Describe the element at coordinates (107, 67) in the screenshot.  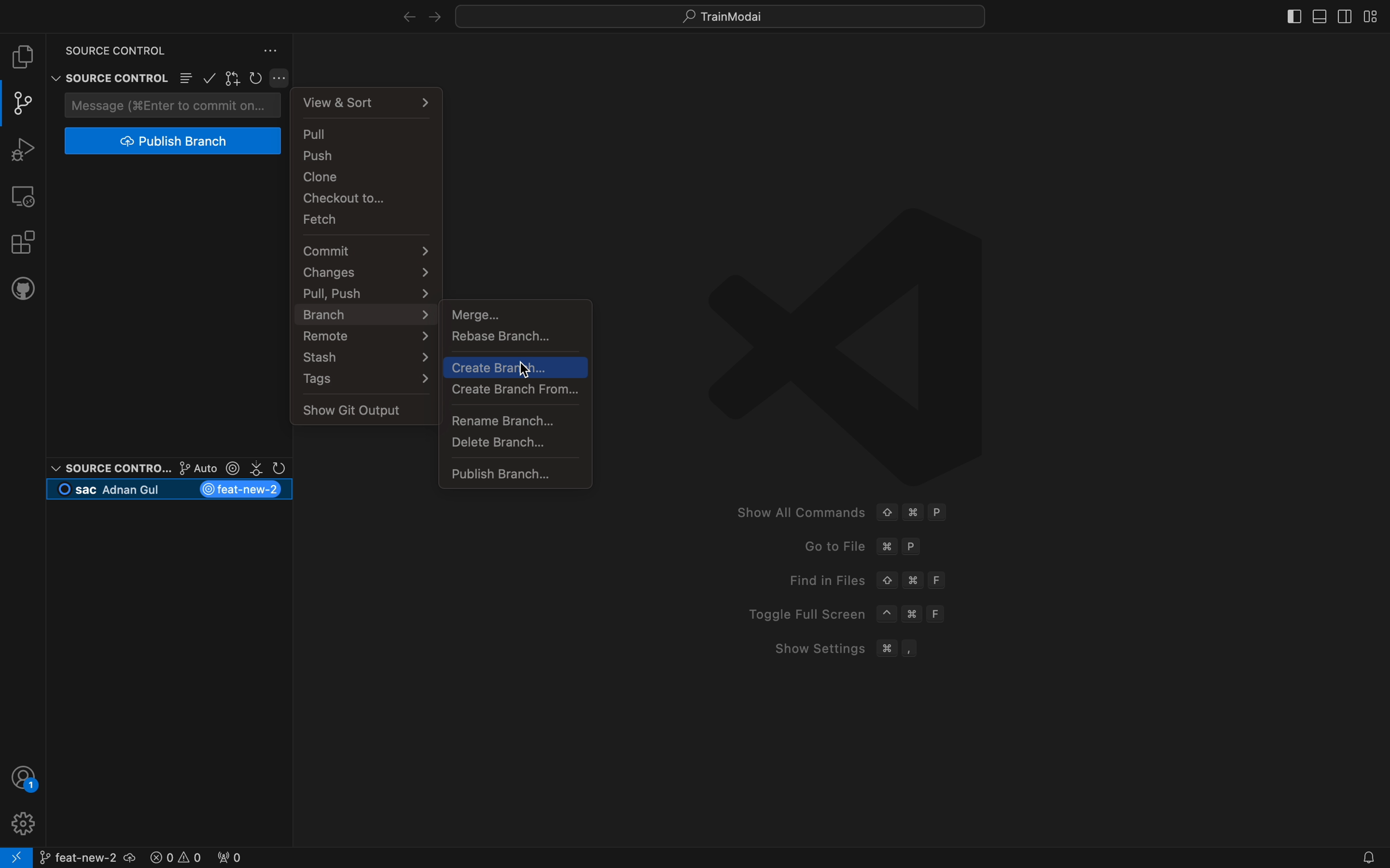
I see `Source control` at that location.